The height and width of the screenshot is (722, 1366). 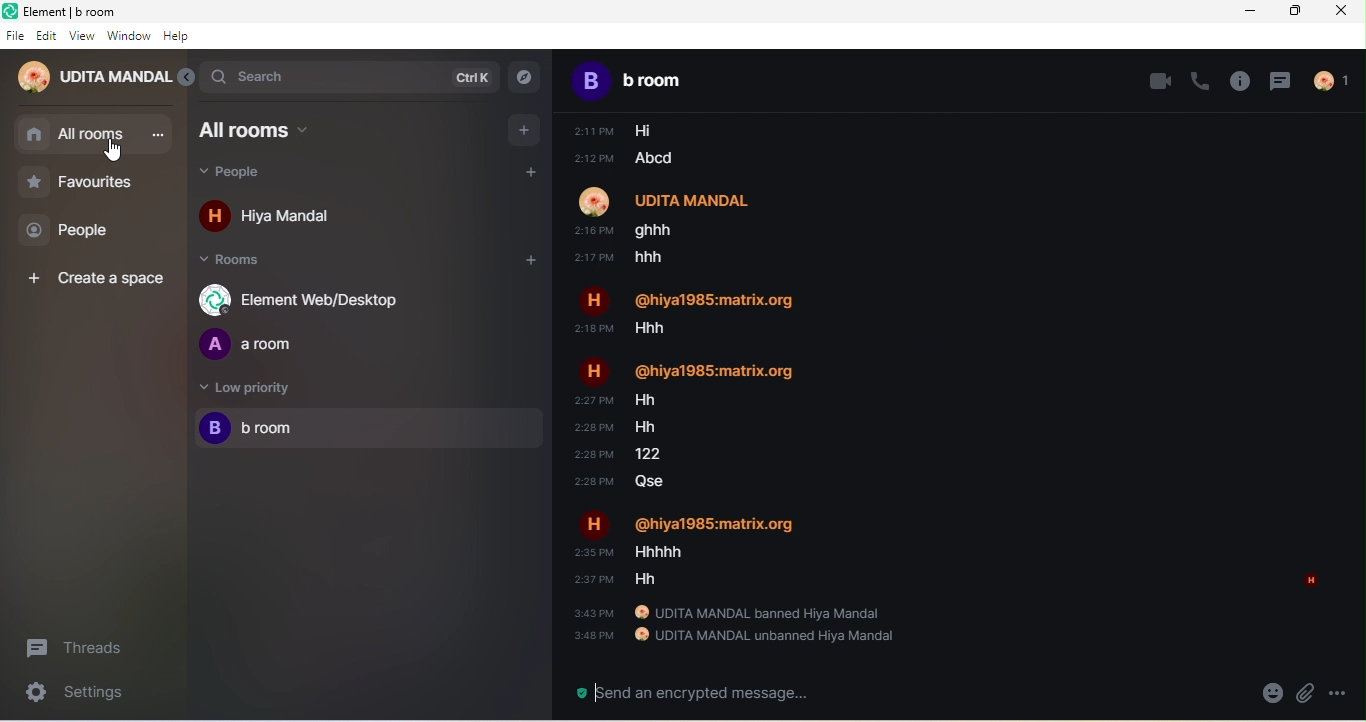 I want to click on add room, so click(x=519, y=264).